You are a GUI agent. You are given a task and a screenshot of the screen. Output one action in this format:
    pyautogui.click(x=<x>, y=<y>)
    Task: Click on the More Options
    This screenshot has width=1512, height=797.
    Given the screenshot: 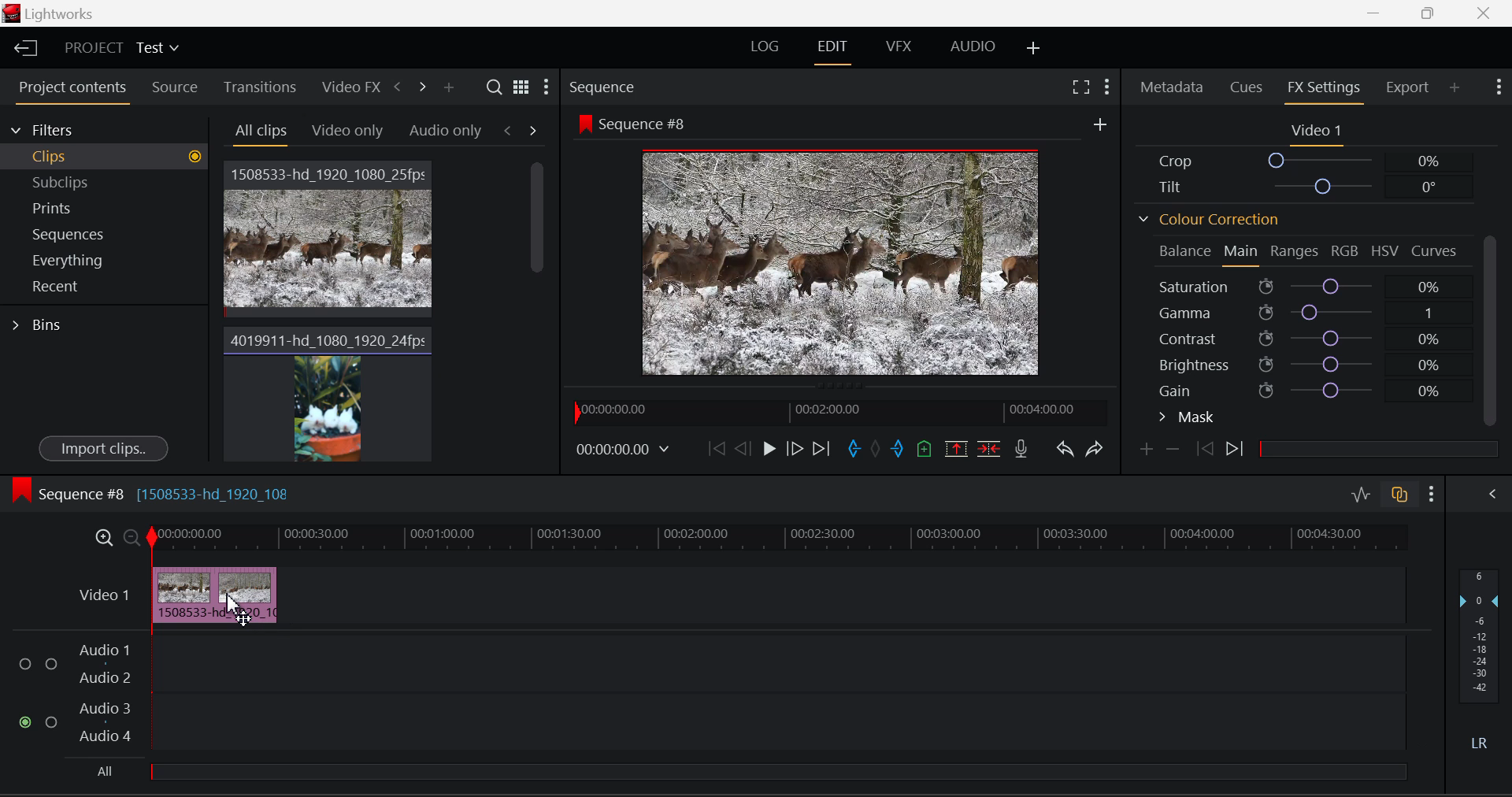 What is the action you would take?
    pyautogui.click(x=1100, y=126)
    